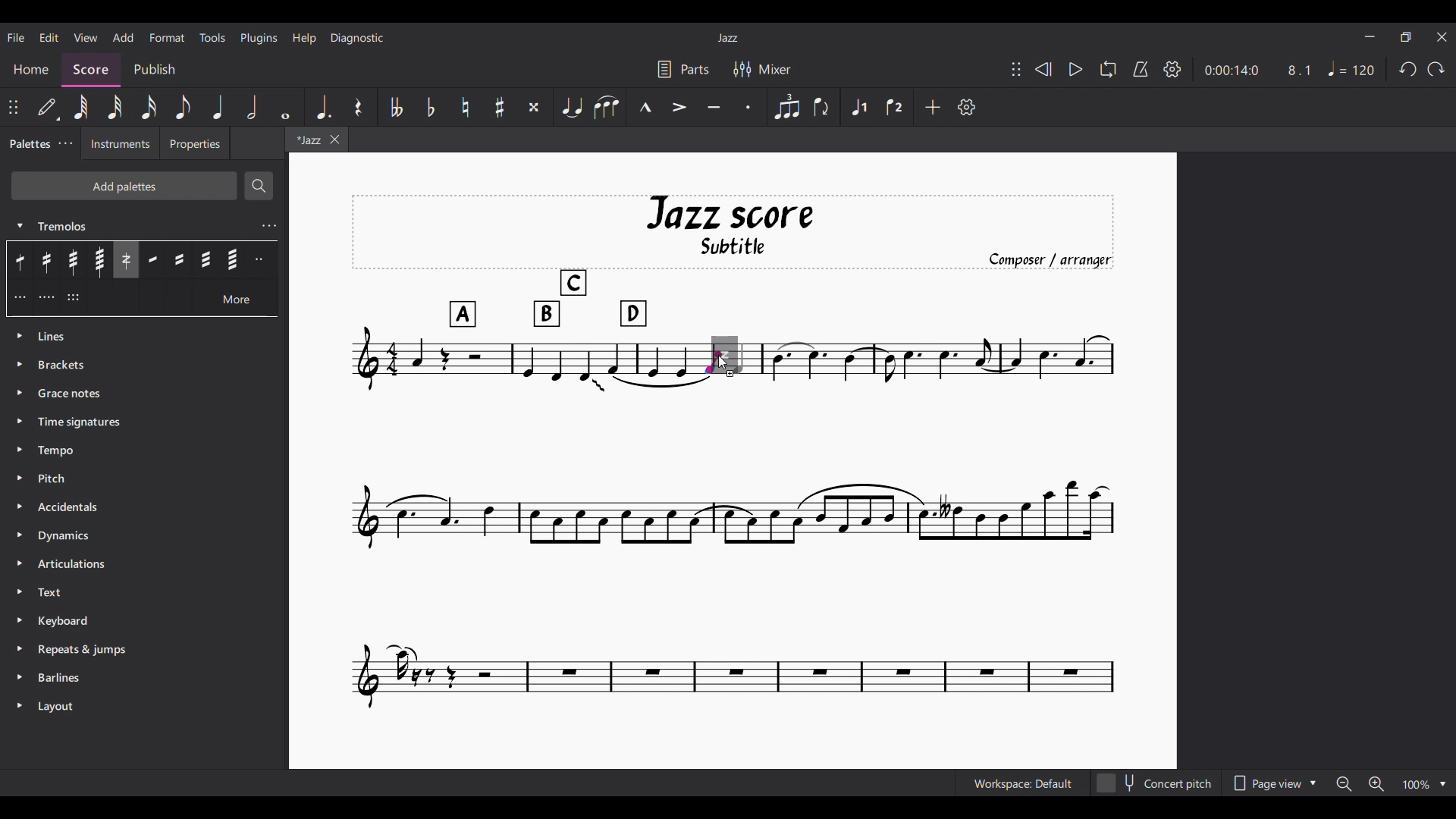 This screenshot has height=819, width=1456. I want to click on Help, so click(305, 39).